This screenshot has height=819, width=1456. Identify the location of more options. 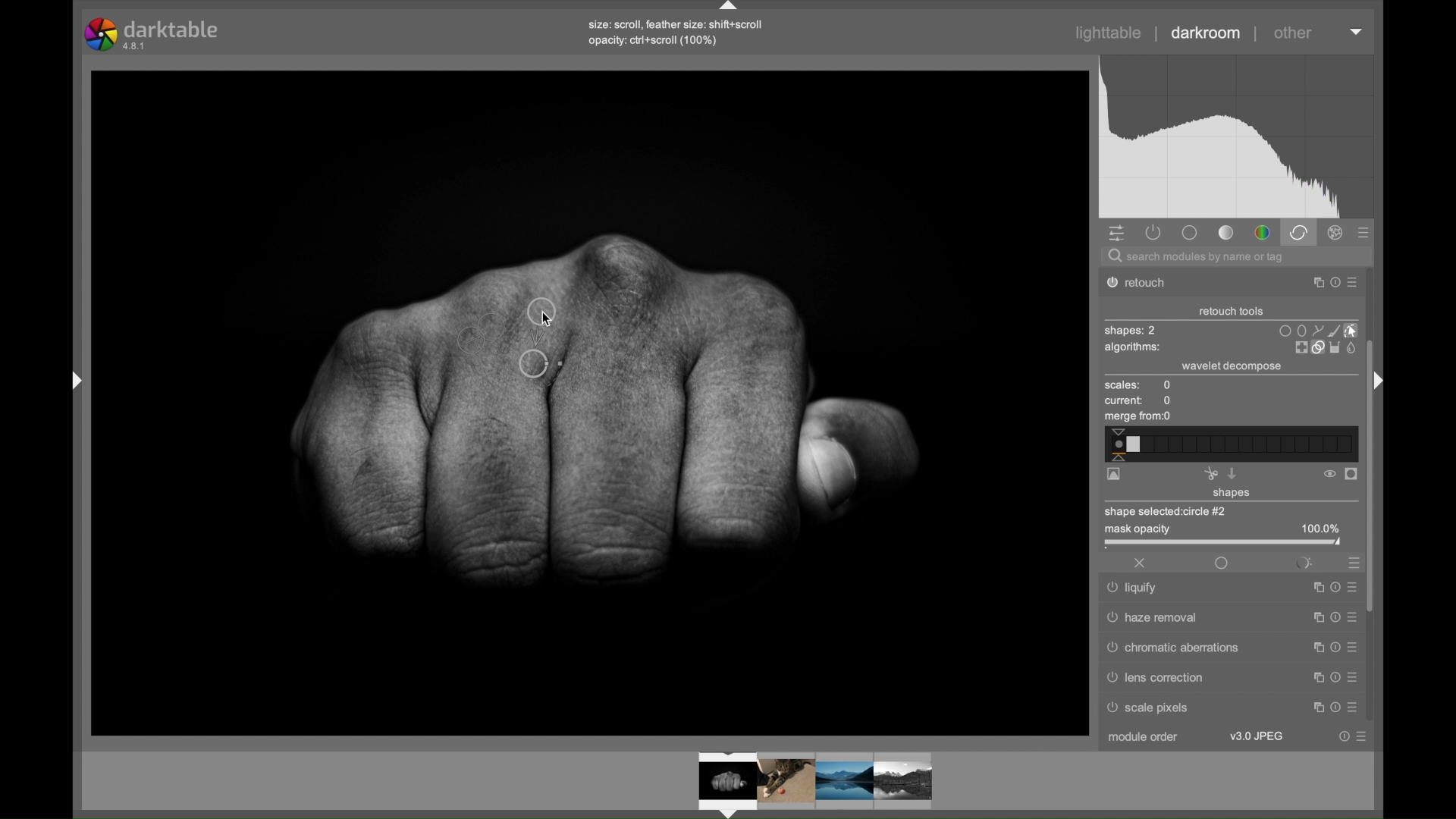
(1352, 708).